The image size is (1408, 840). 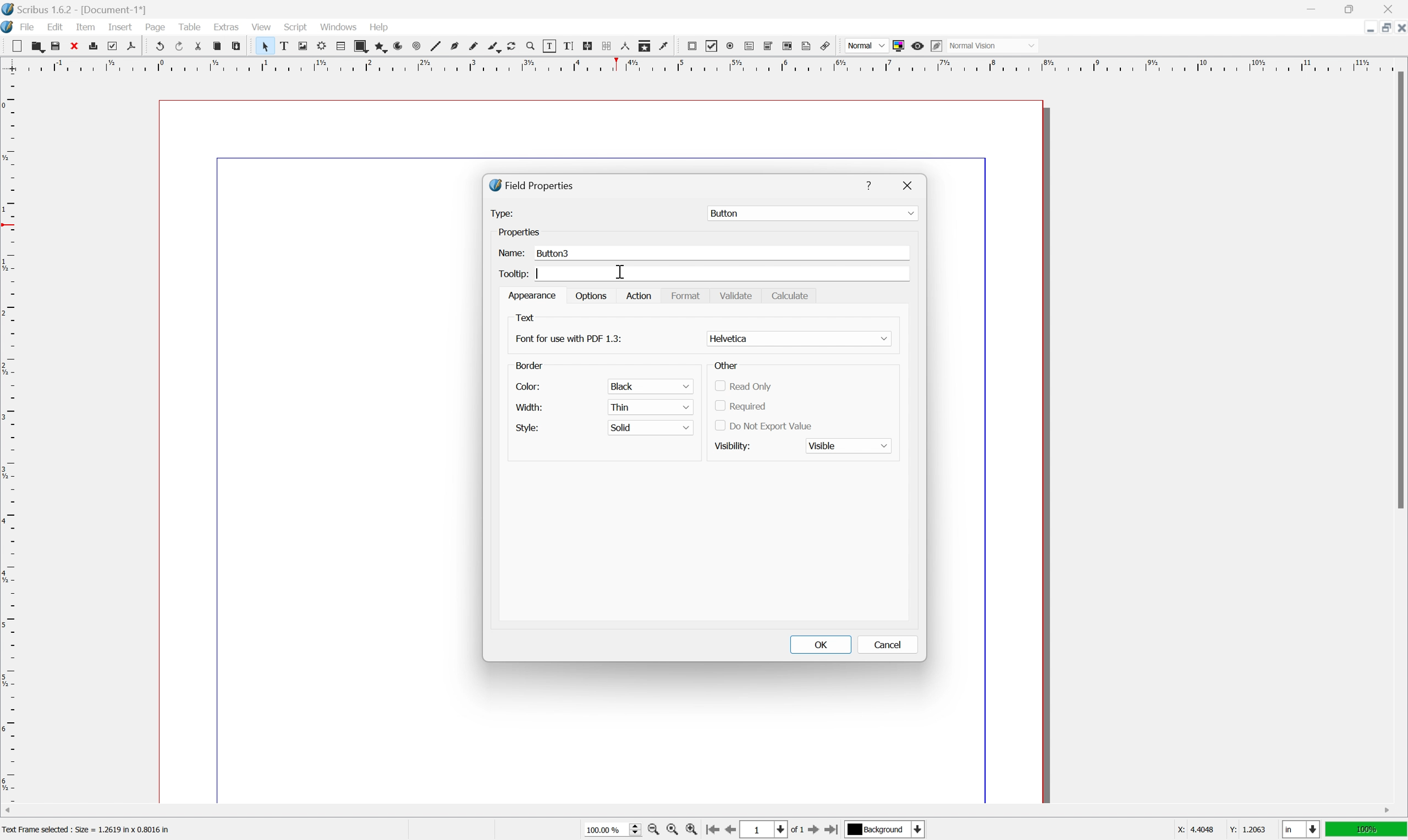 I want to click on Calculate, so click(x=793, y=297).